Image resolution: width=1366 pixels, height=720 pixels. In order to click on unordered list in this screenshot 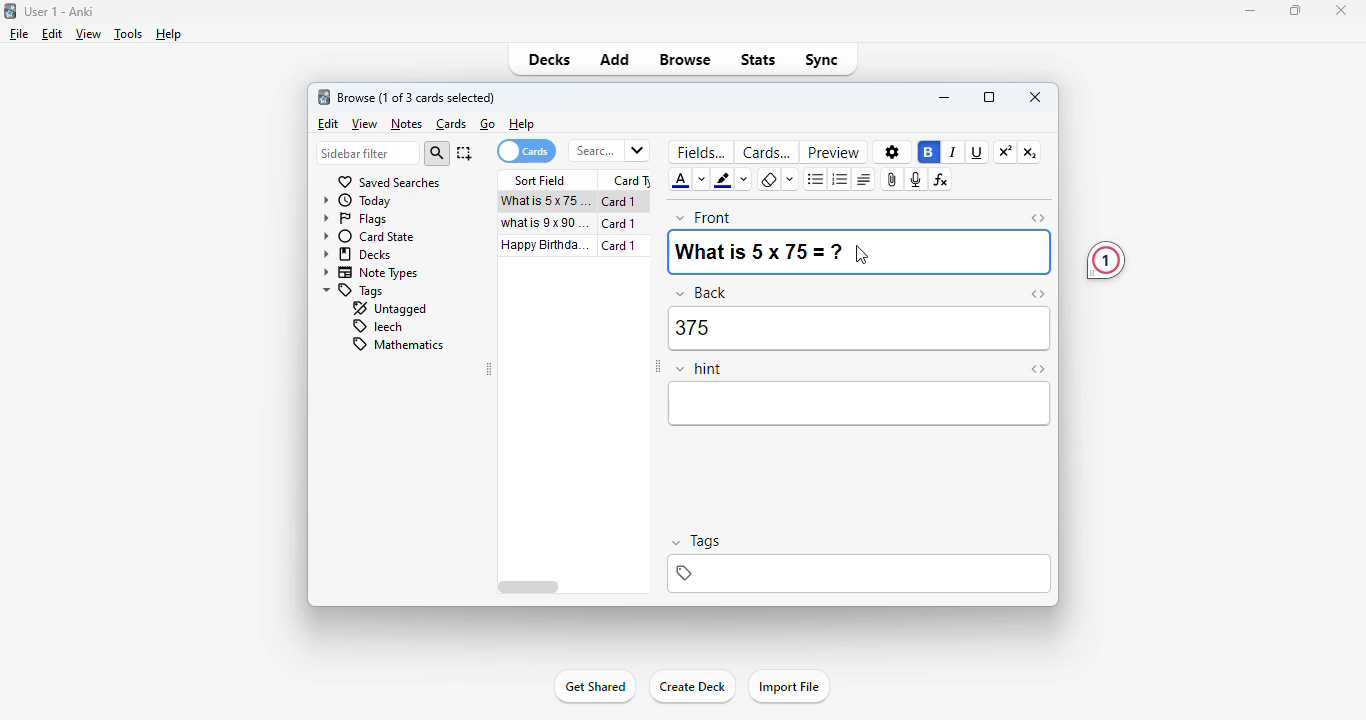, I will do `click(815, 179)`.